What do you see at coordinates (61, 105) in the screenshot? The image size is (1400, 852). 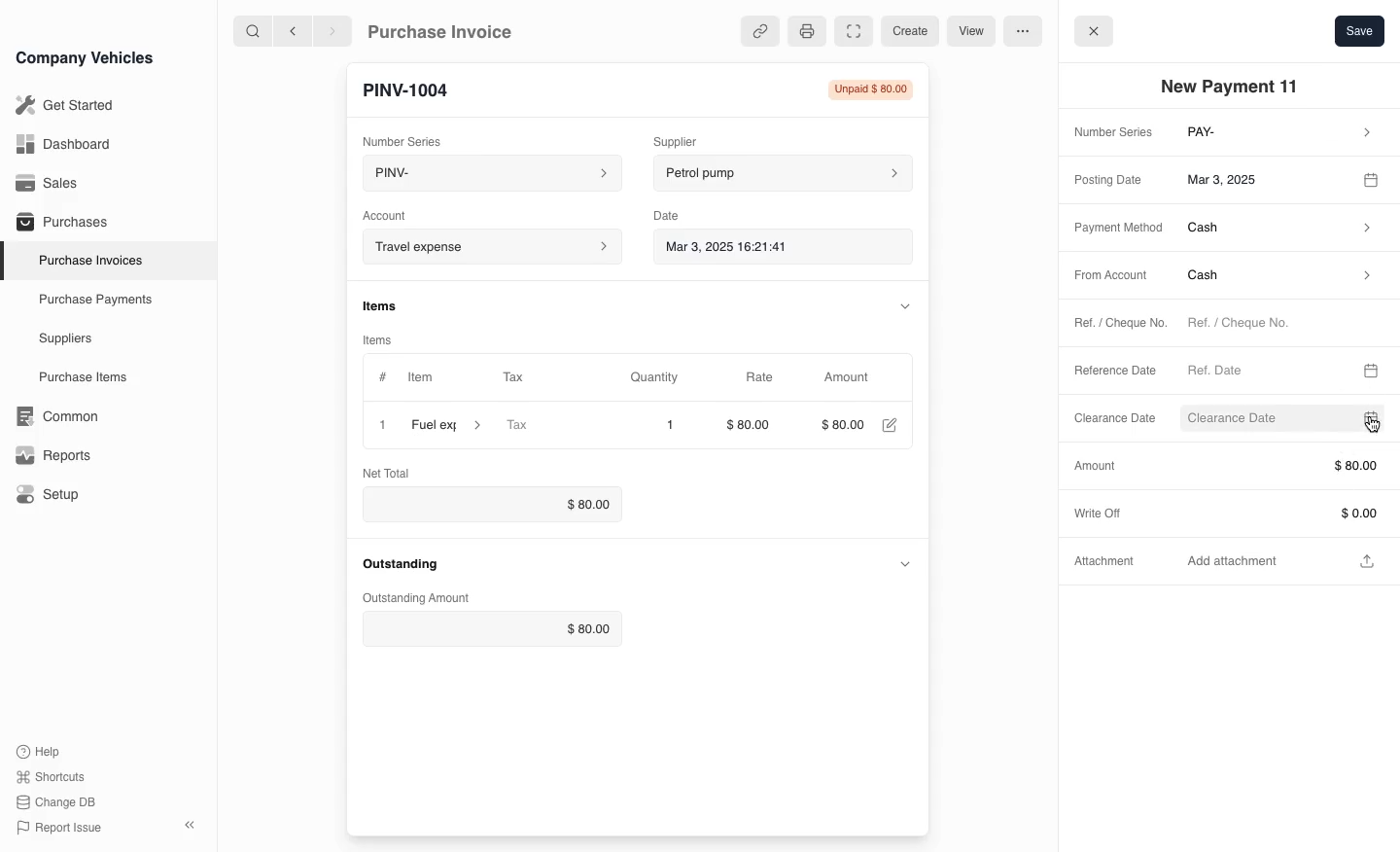 I see `Get Started` at bounding box center [61, 105].